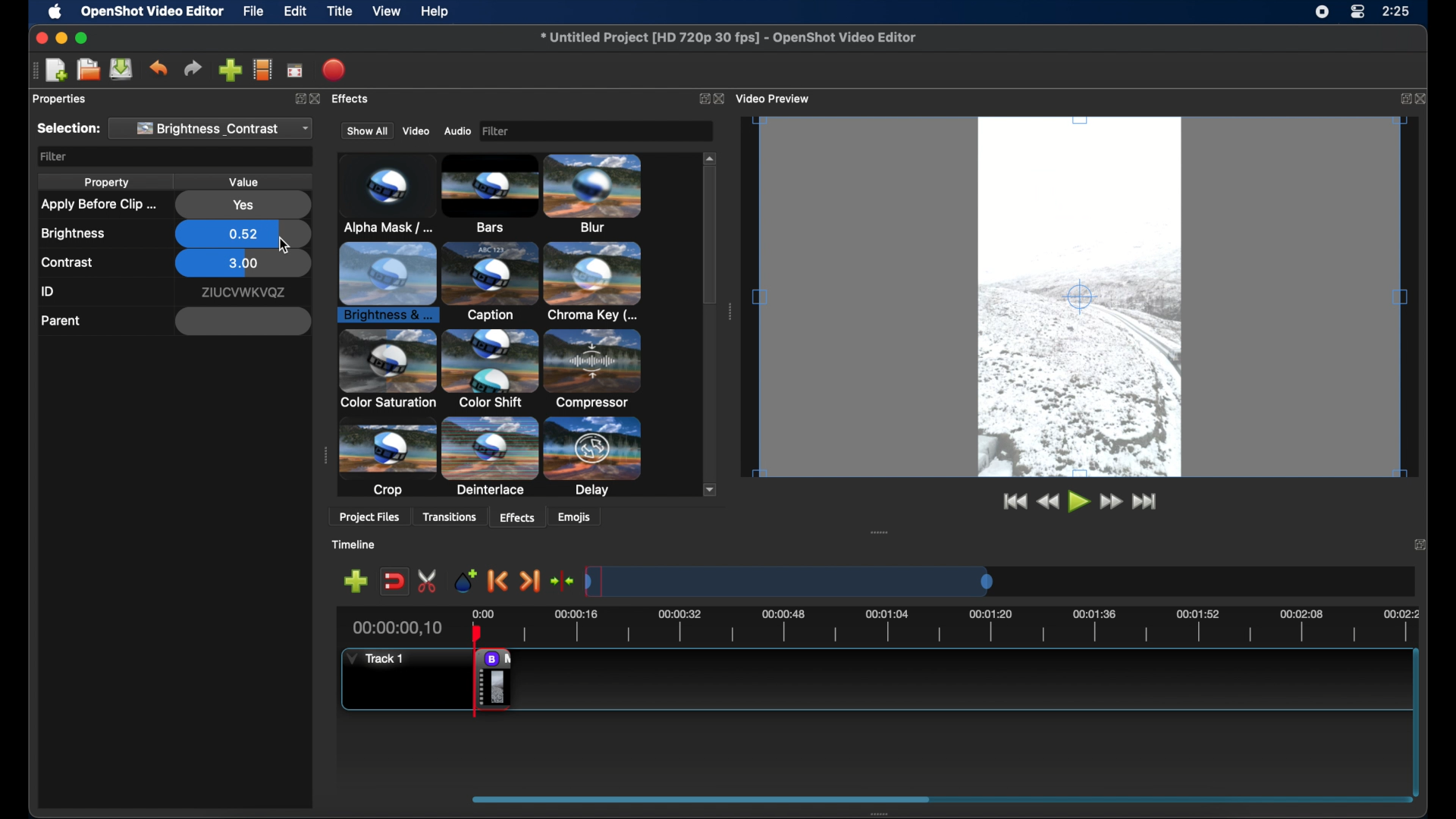 The height and width of the screenshot is (819, 1456). What do you see at coordinates (699, 98) in the screenshot?
I see `expand` at bounding box center [699, 98].